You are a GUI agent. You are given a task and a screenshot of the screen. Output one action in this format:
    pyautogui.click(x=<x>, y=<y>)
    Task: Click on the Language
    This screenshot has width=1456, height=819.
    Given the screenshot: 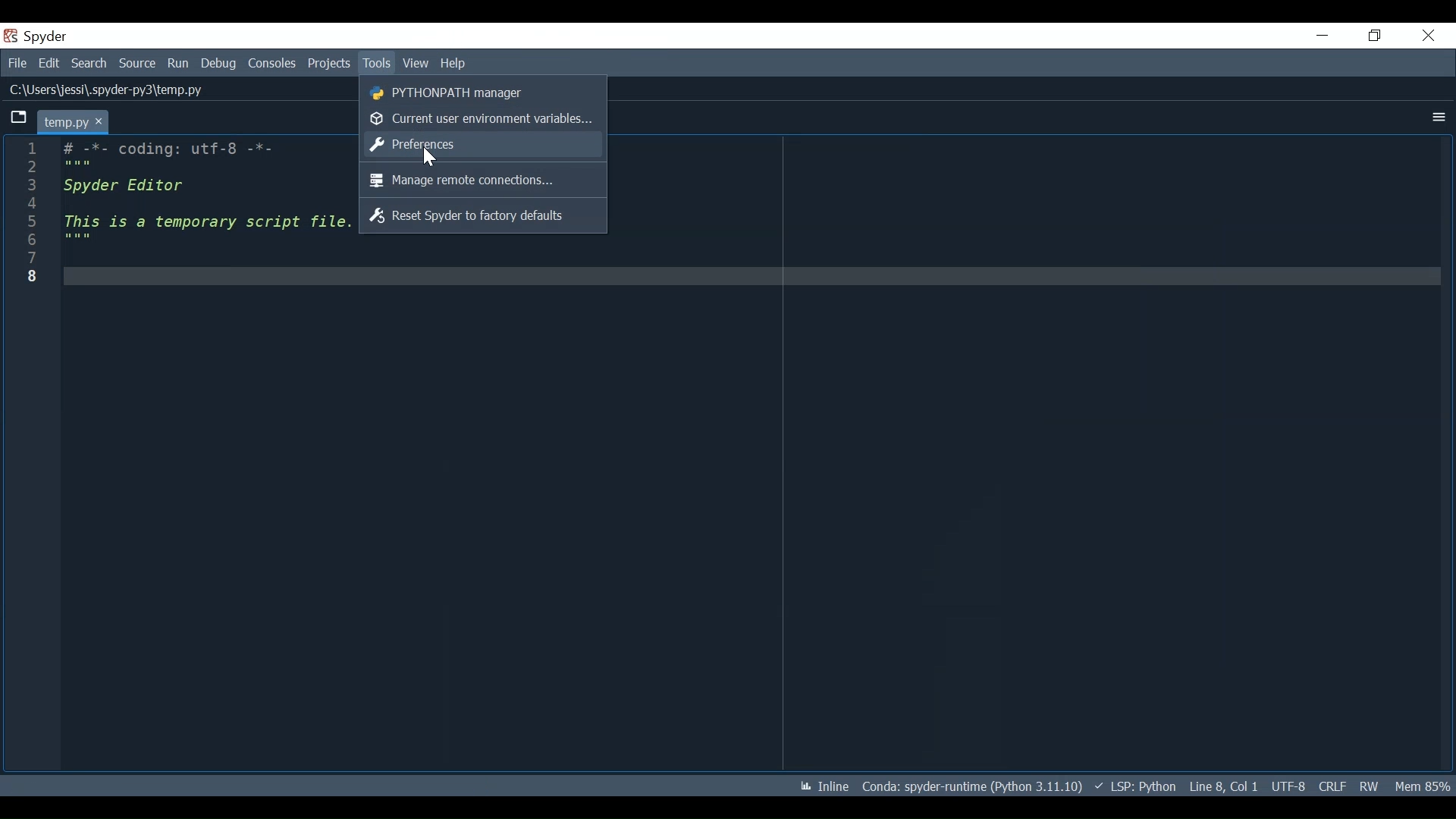 What is the action you would take?
    pyautogui.click(x=1137, y=786)
    